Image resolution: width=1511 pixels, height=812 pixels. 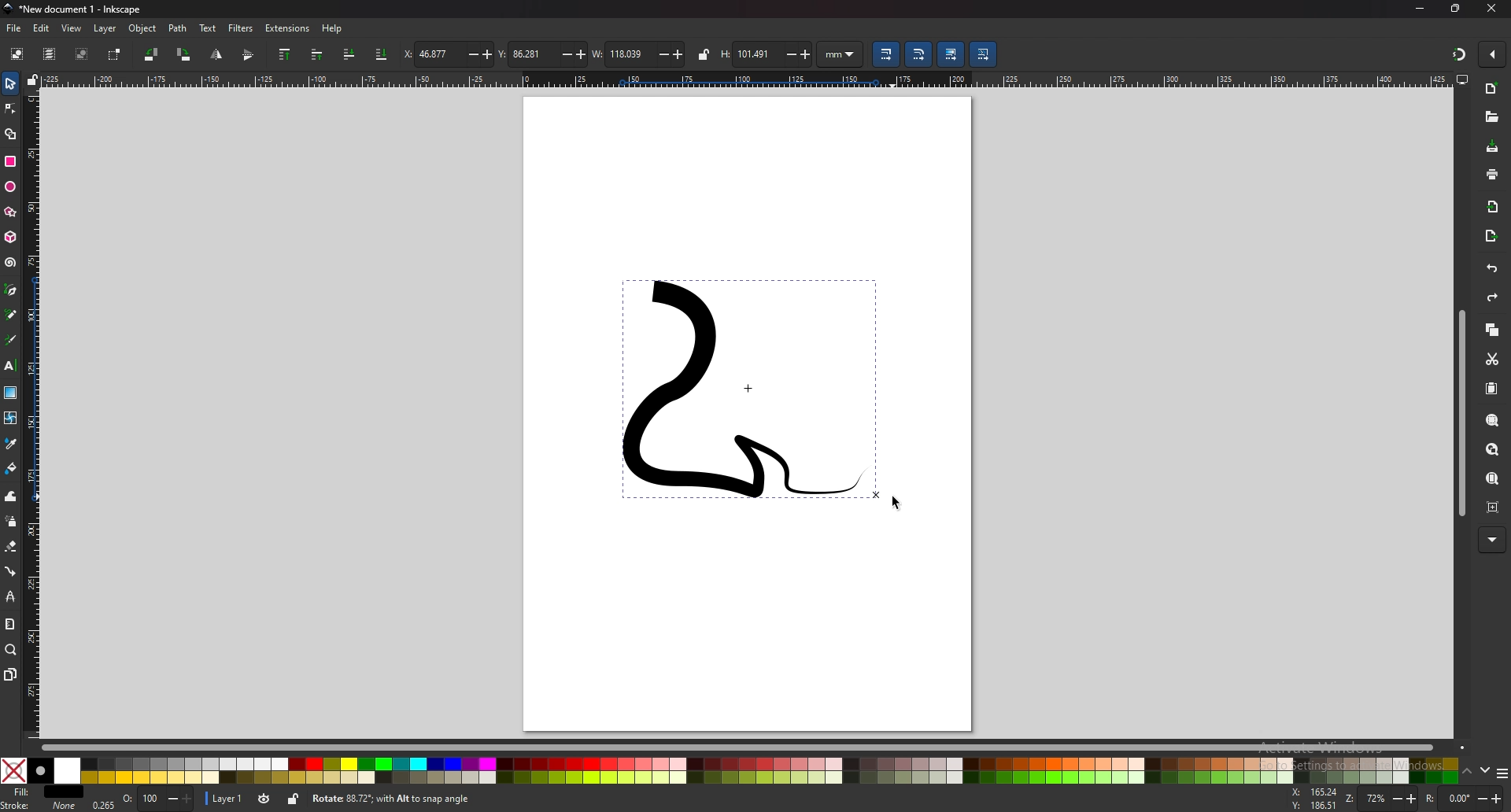 I want to click on height, so click(x=767, y=53).